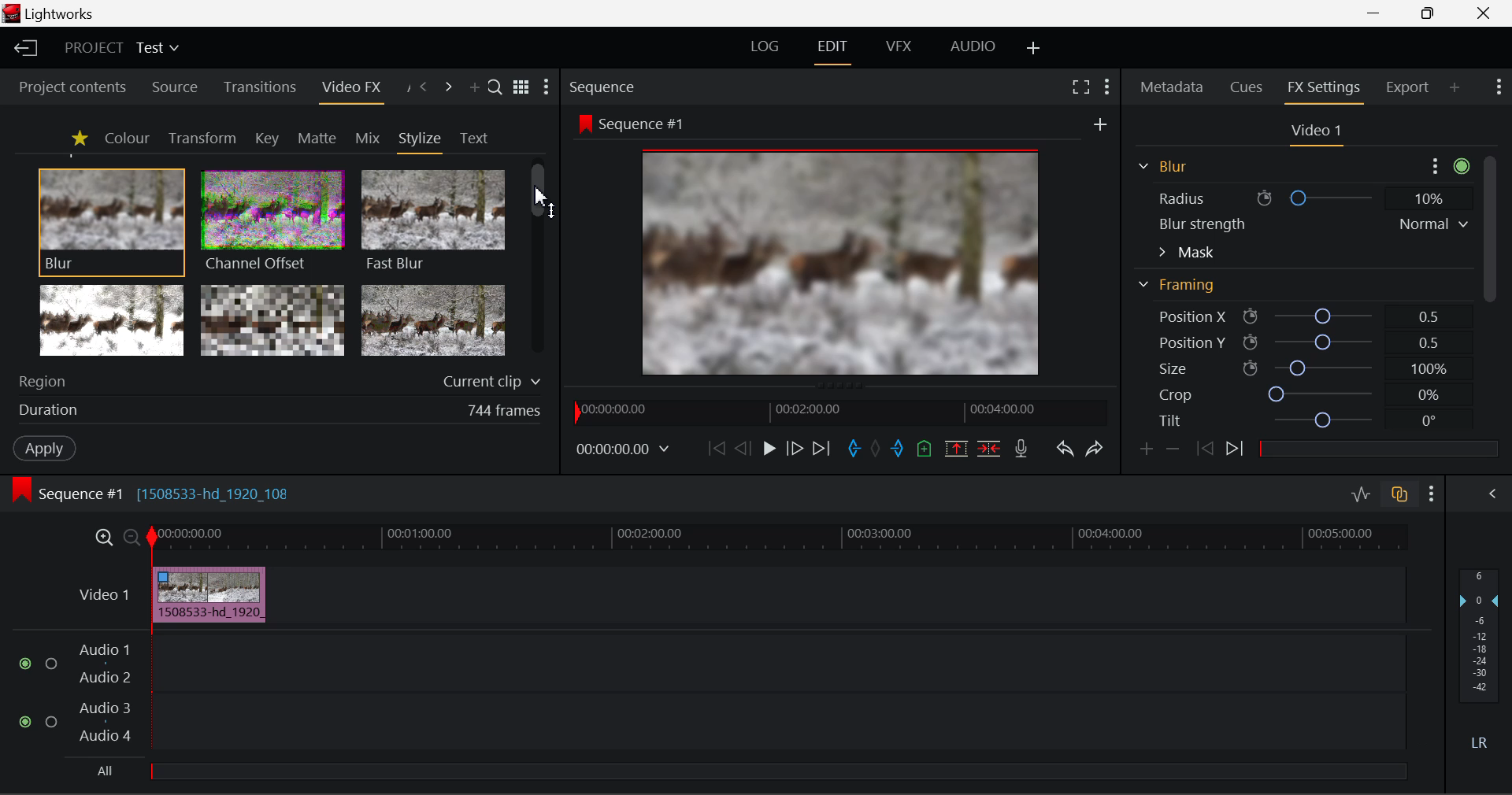 Image resolution: width=1512 pixels, height=795 pixels. I want to click on Add keyframe, so click(1145, 449).